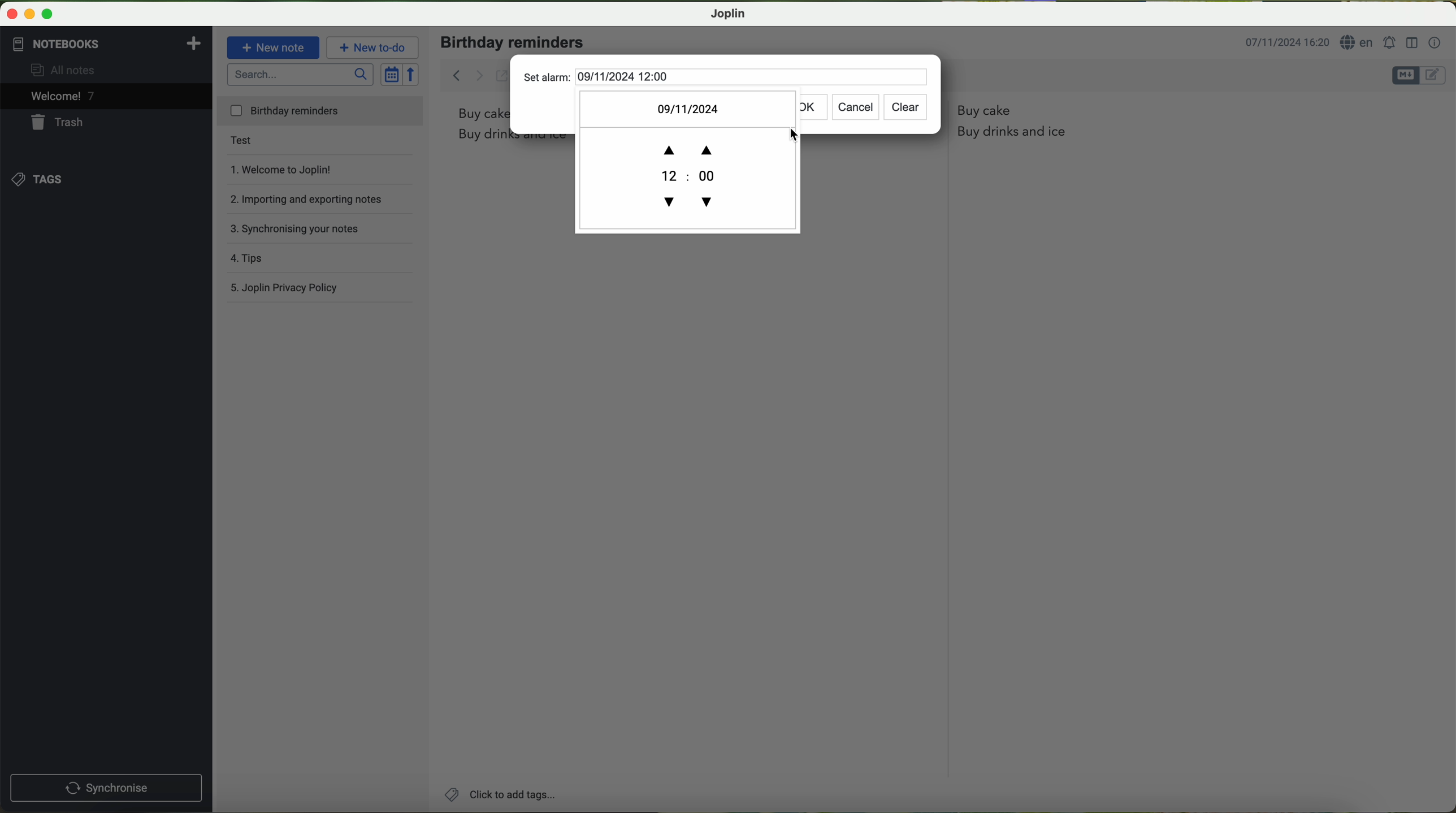 Image resolution: width=1456 pixels, height=813 pixels. Describe the element at coordinates (62, 123) in the screenshot. I see `trash` at that location.